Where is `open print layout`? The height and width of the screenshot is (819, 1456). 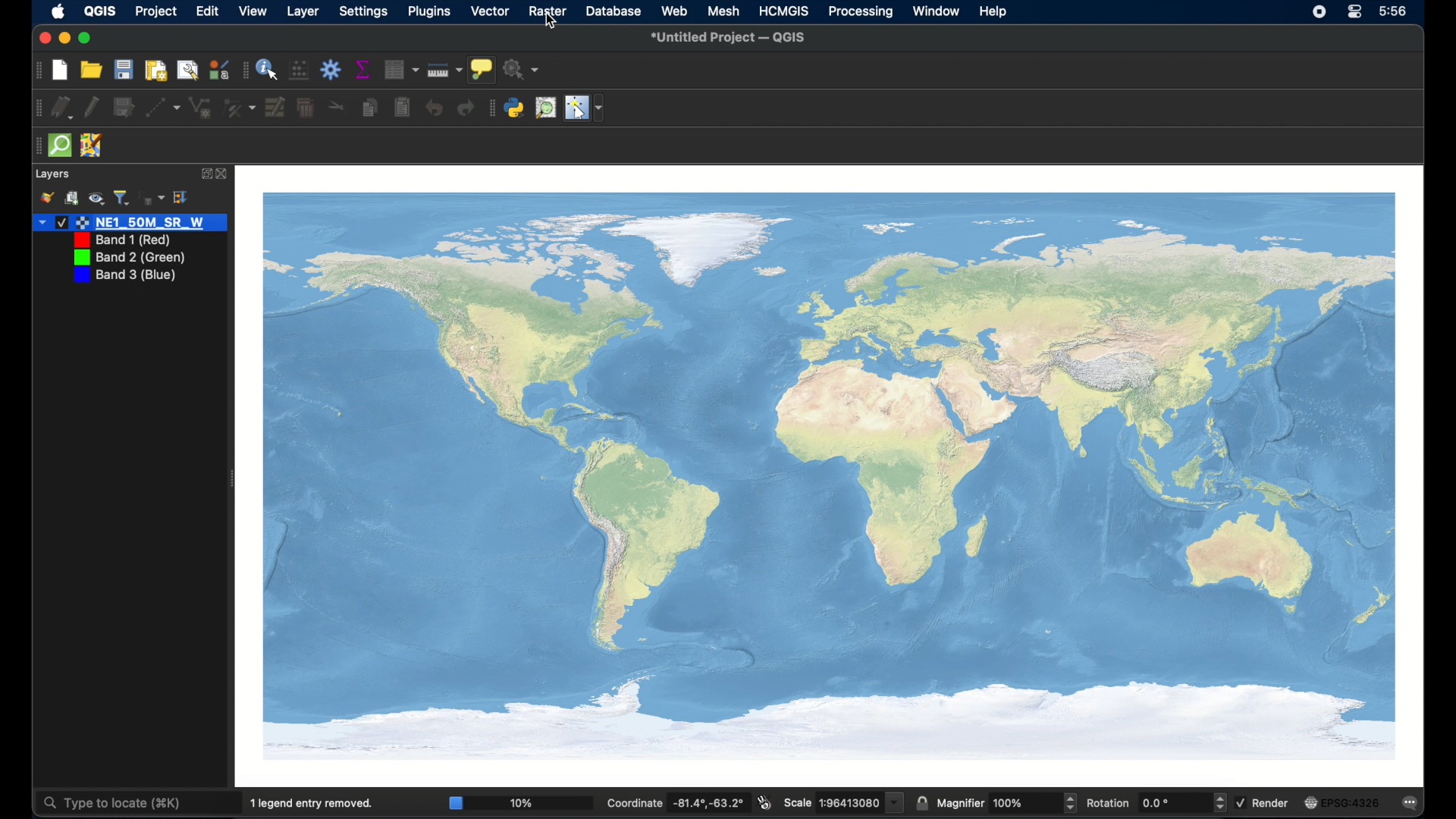 open print layout is located at coordinates (155, 70).